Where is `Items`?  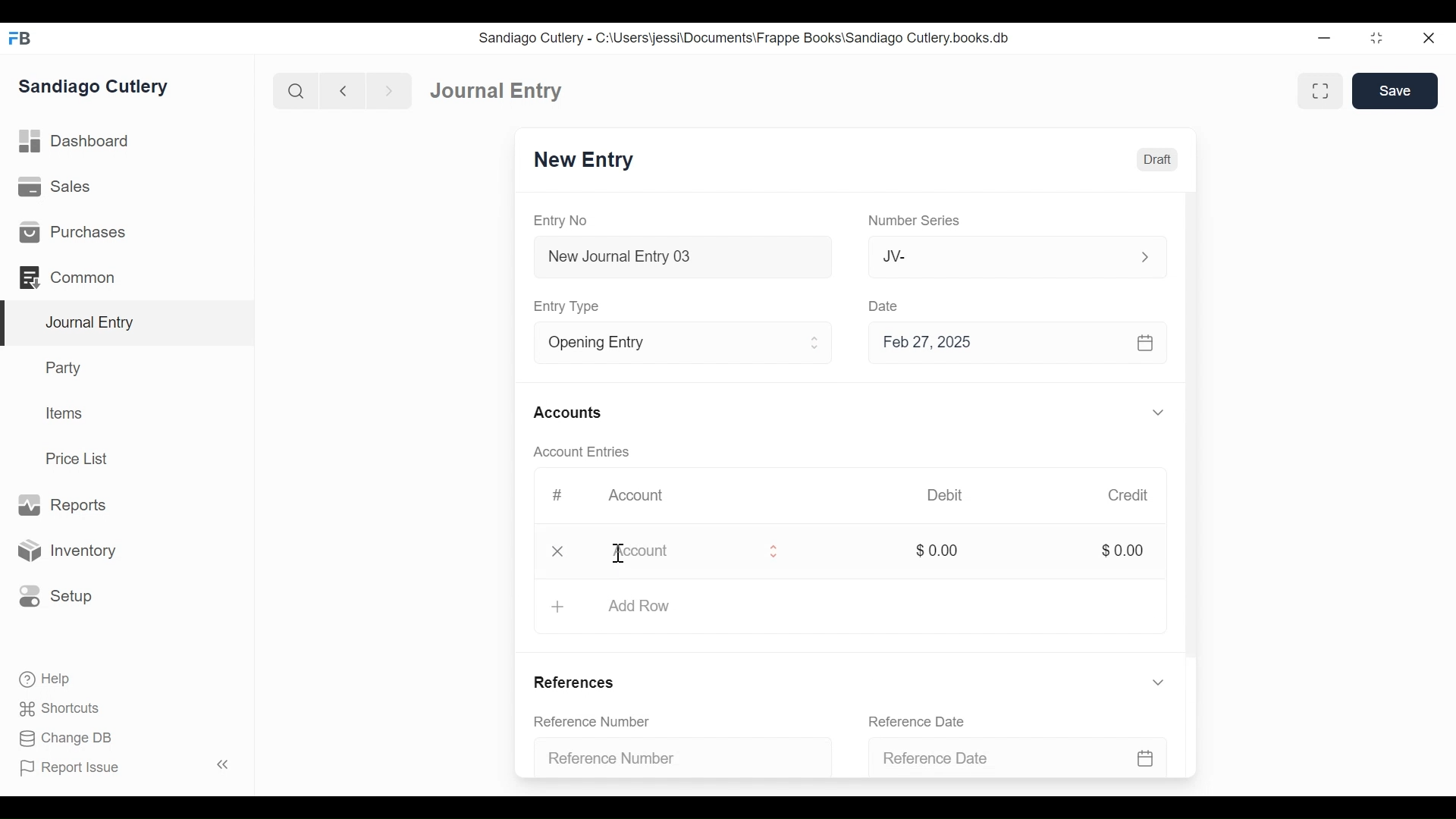
Items is located at coordinates (62, 413).